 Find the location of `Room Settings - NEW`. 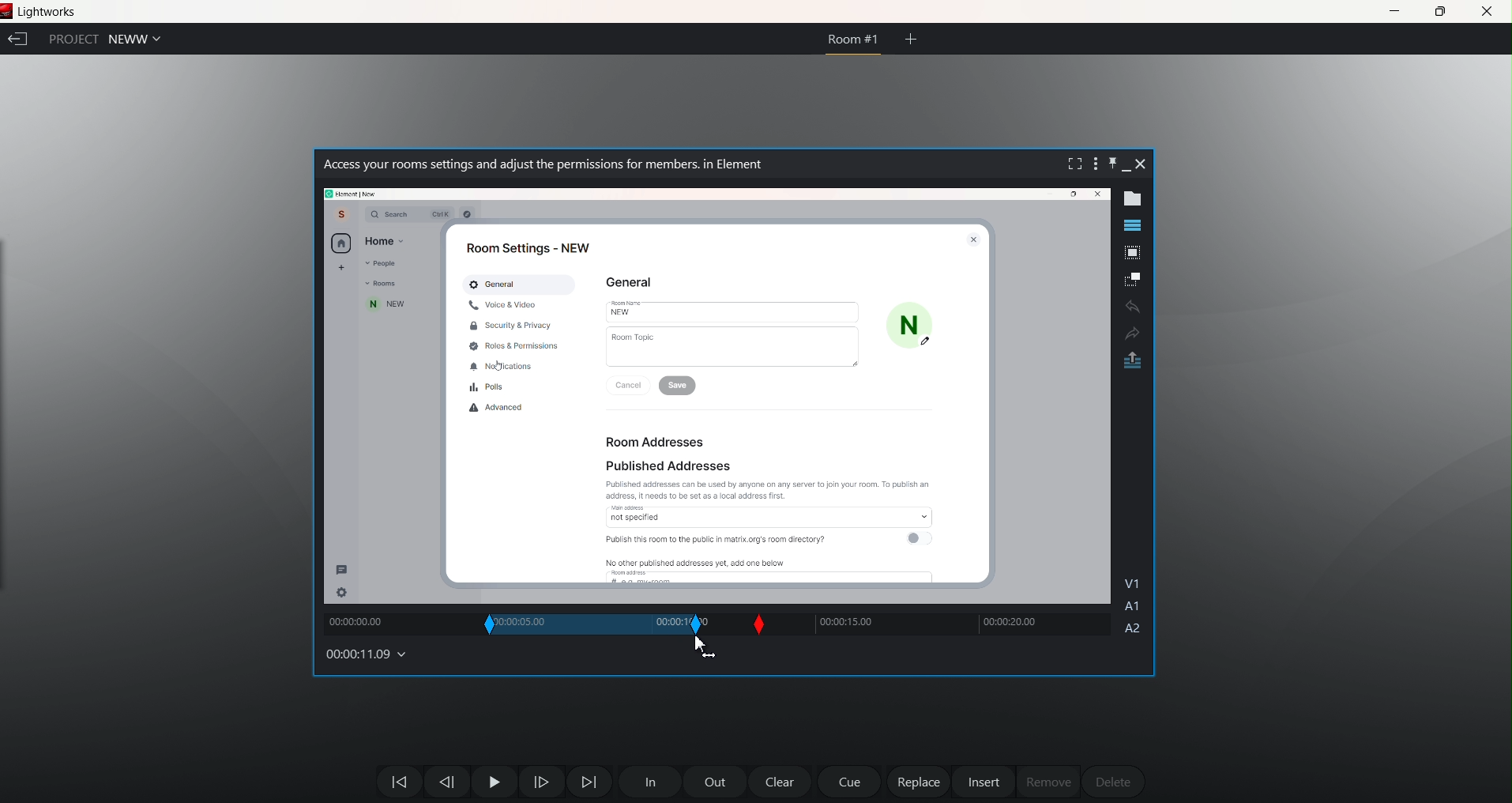

Room Settings - NEW is located at coordinates (522, 247).